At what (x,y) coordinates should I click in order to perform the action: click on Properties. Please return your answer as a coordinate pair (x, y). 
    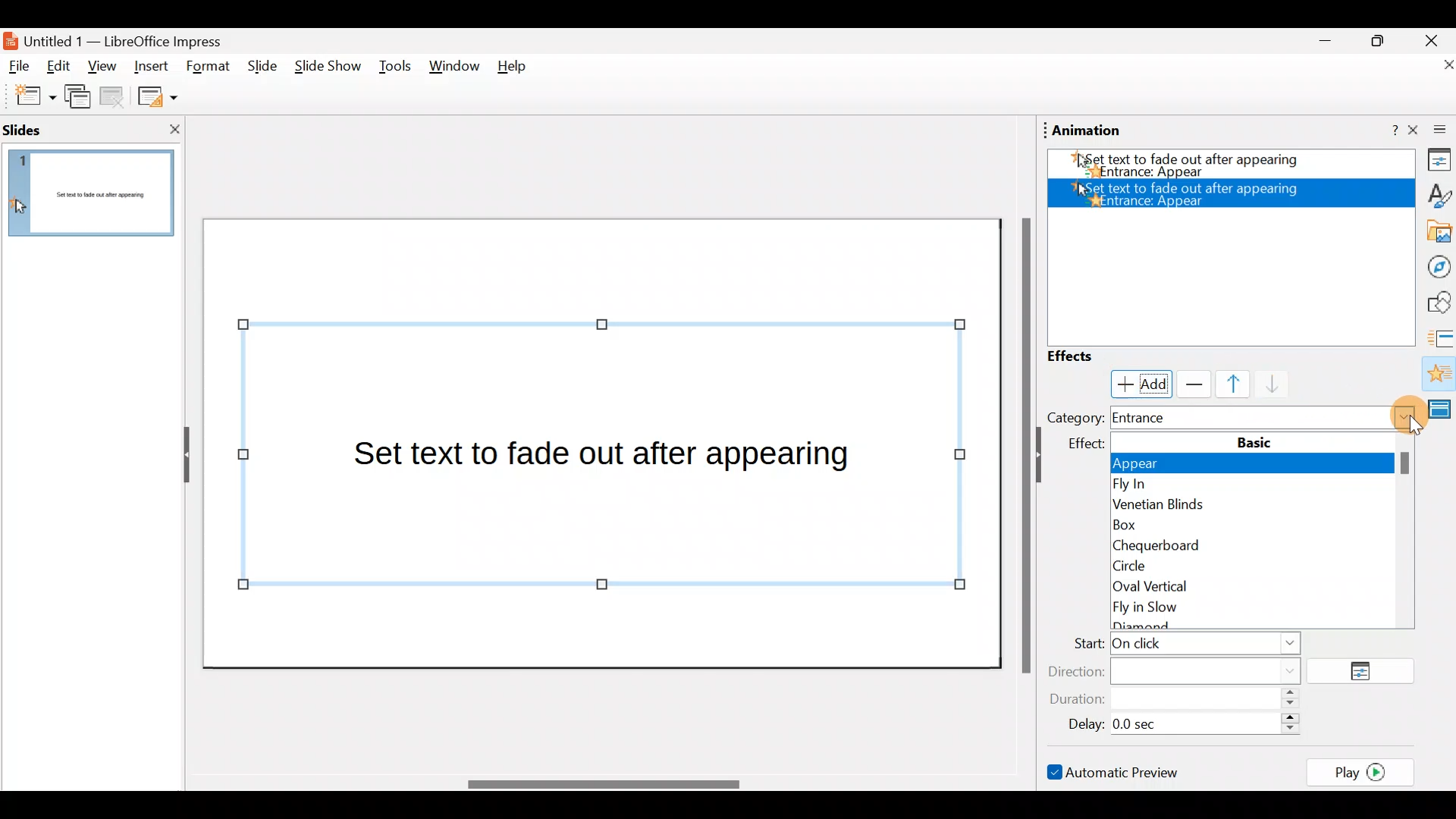
    Looking at the image, I should click on (1435, 162).